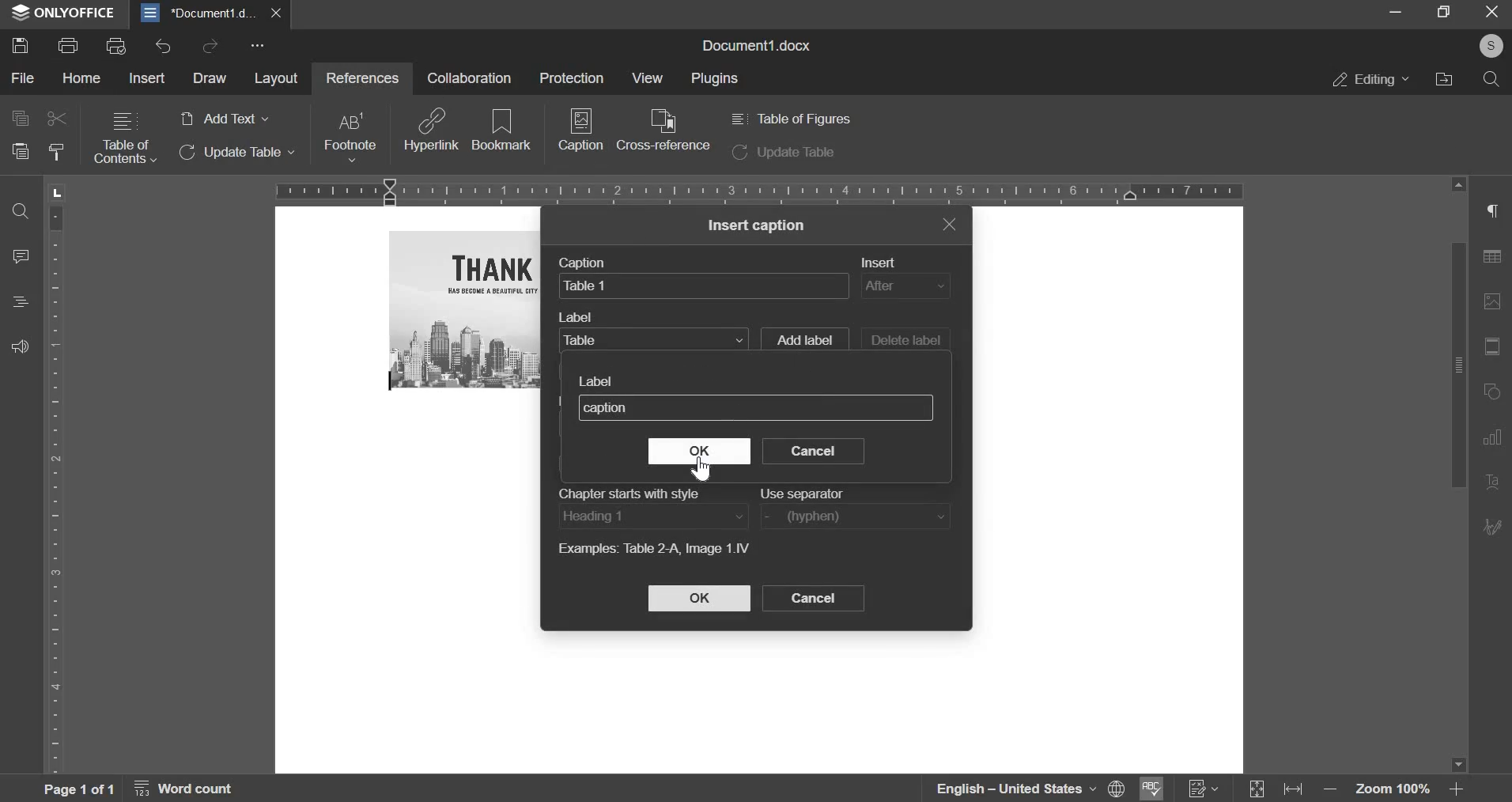 The width and height of the screenshot is (1512, 802). I want to click on Insert, so click(877, 262).